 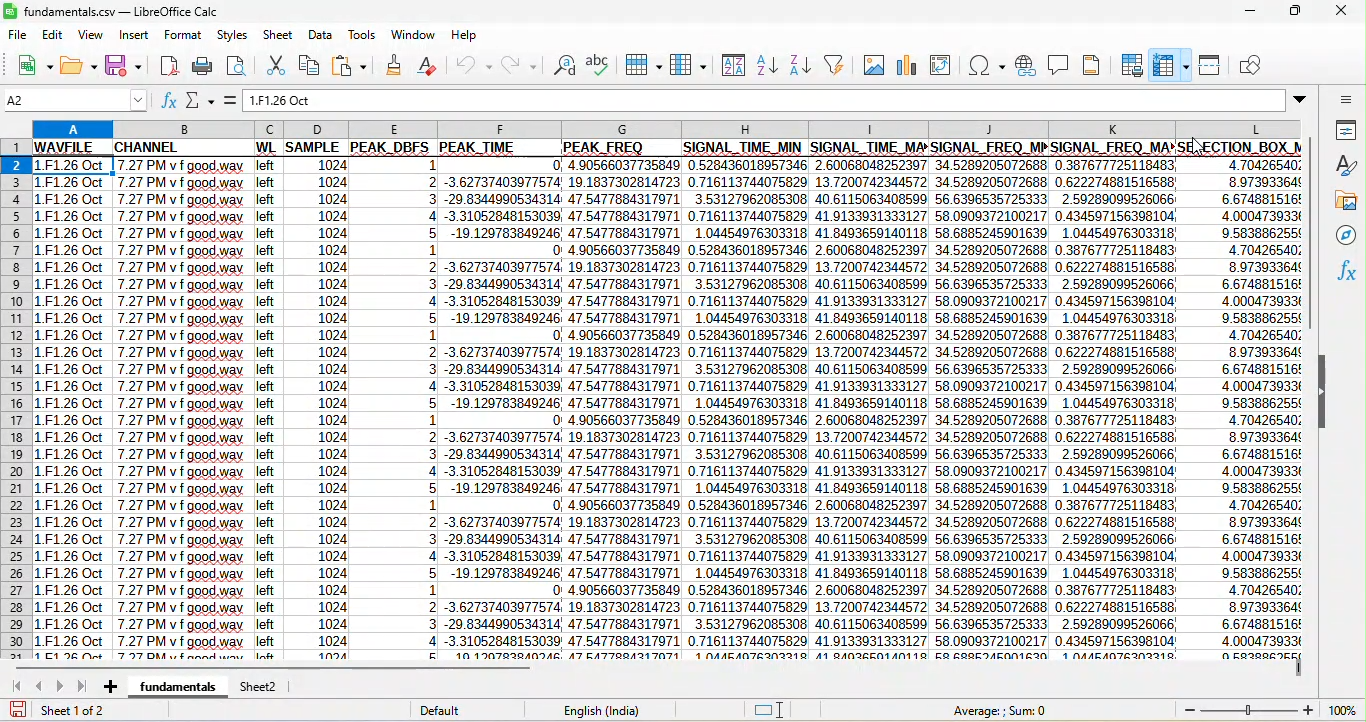 What do you see at coordinates (687, 65) in the screenshot?
I see `column` at bounding box center [687, 65].